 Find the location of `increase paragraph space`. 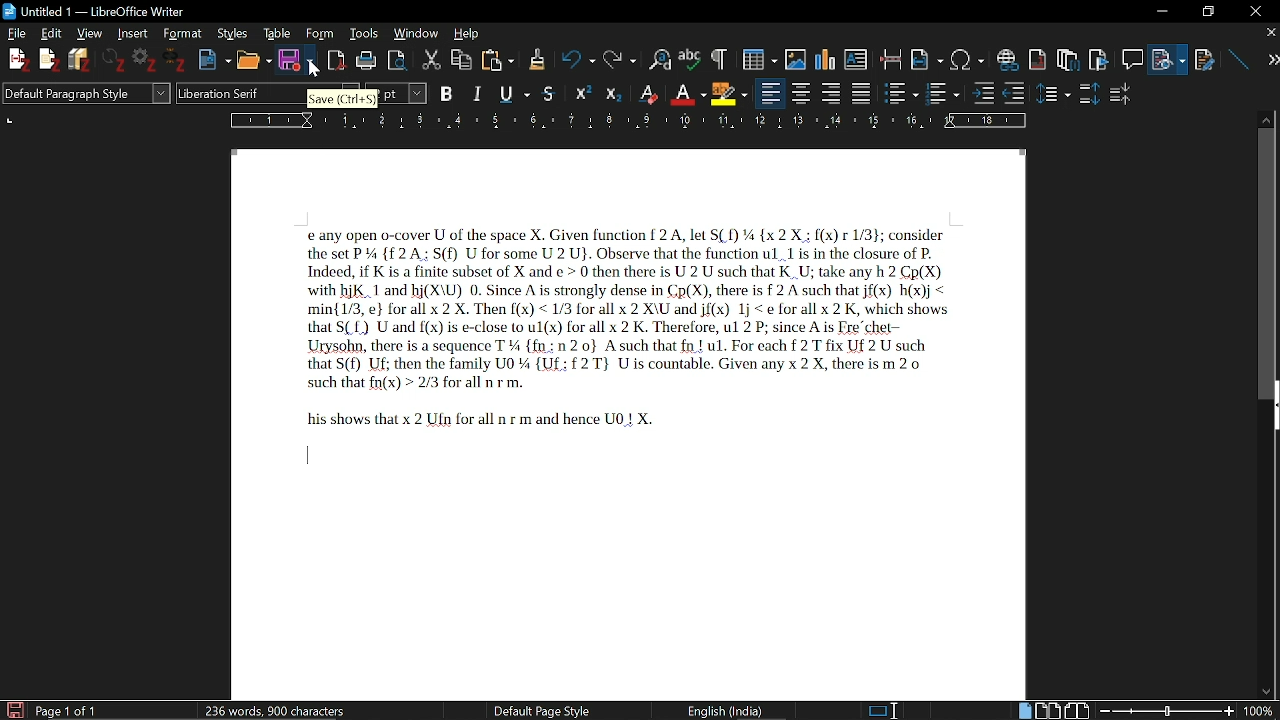

increase paragraph space is located at coordinates (1088, 93).